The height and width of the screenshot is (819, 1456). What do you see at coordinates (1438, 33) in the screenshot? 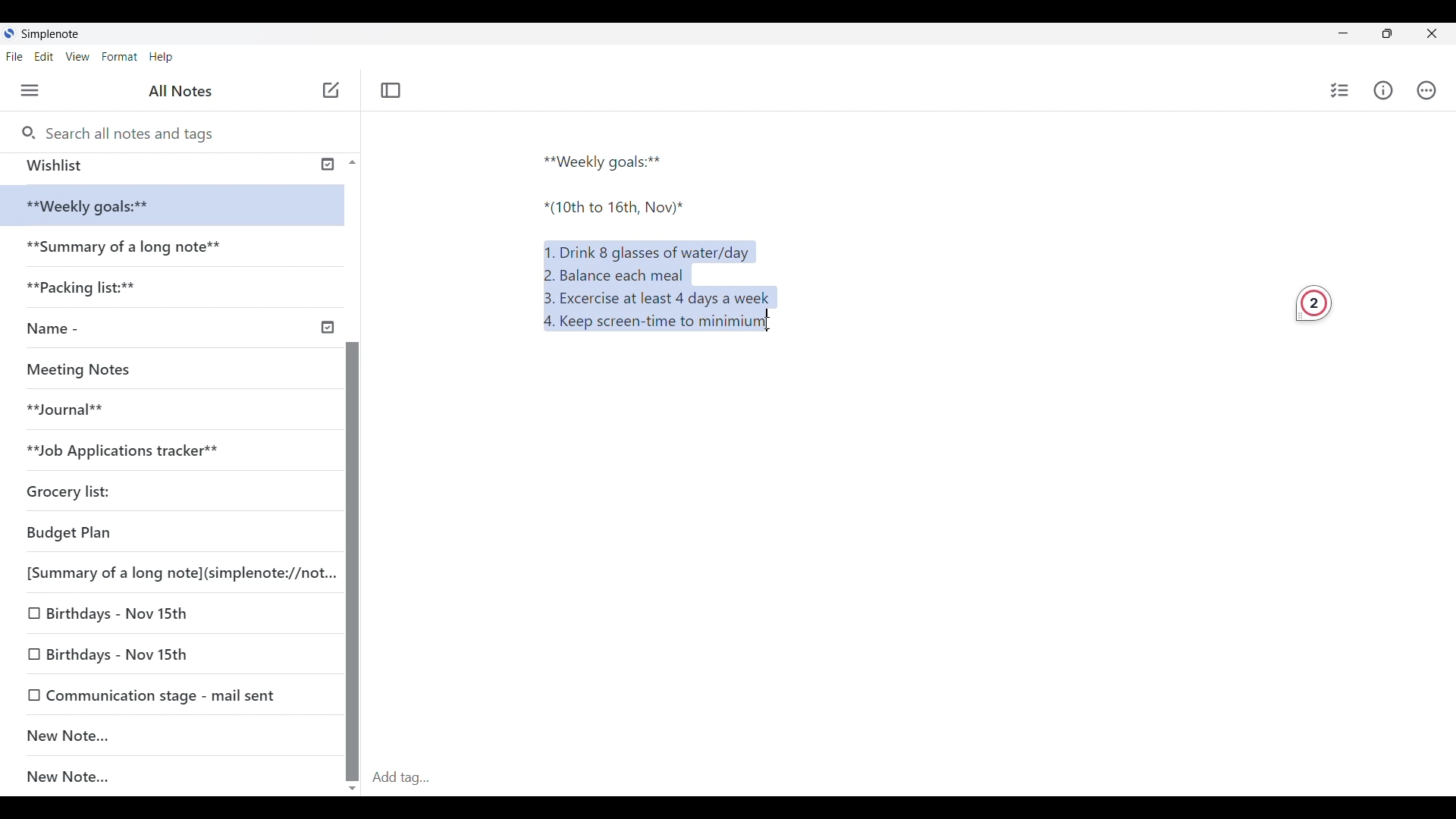
I see `Close` at bounding box center [1438, 33].